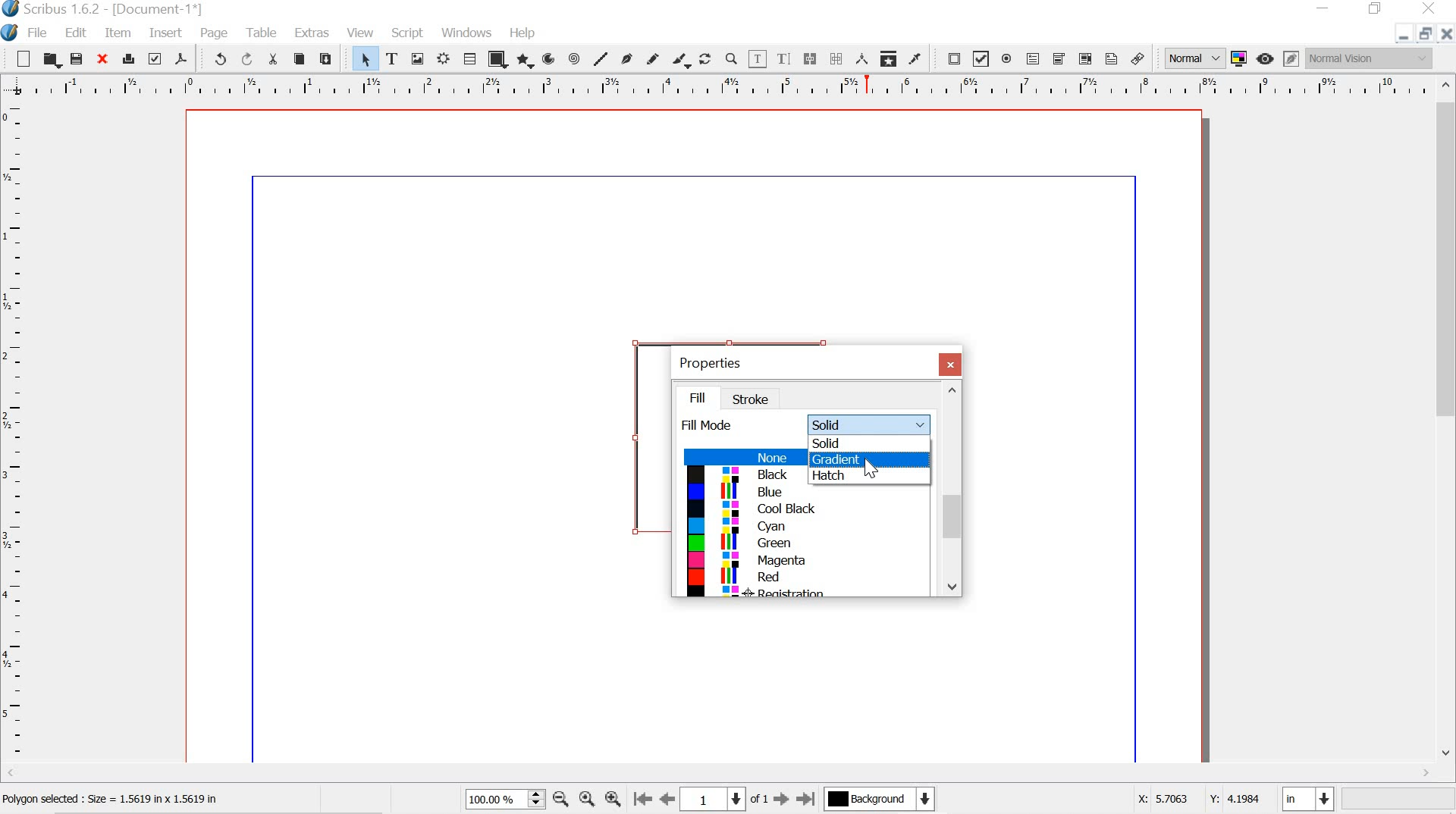 The image size is (1456, 814). I want to click on toggle color management system, so click(1238, 59).